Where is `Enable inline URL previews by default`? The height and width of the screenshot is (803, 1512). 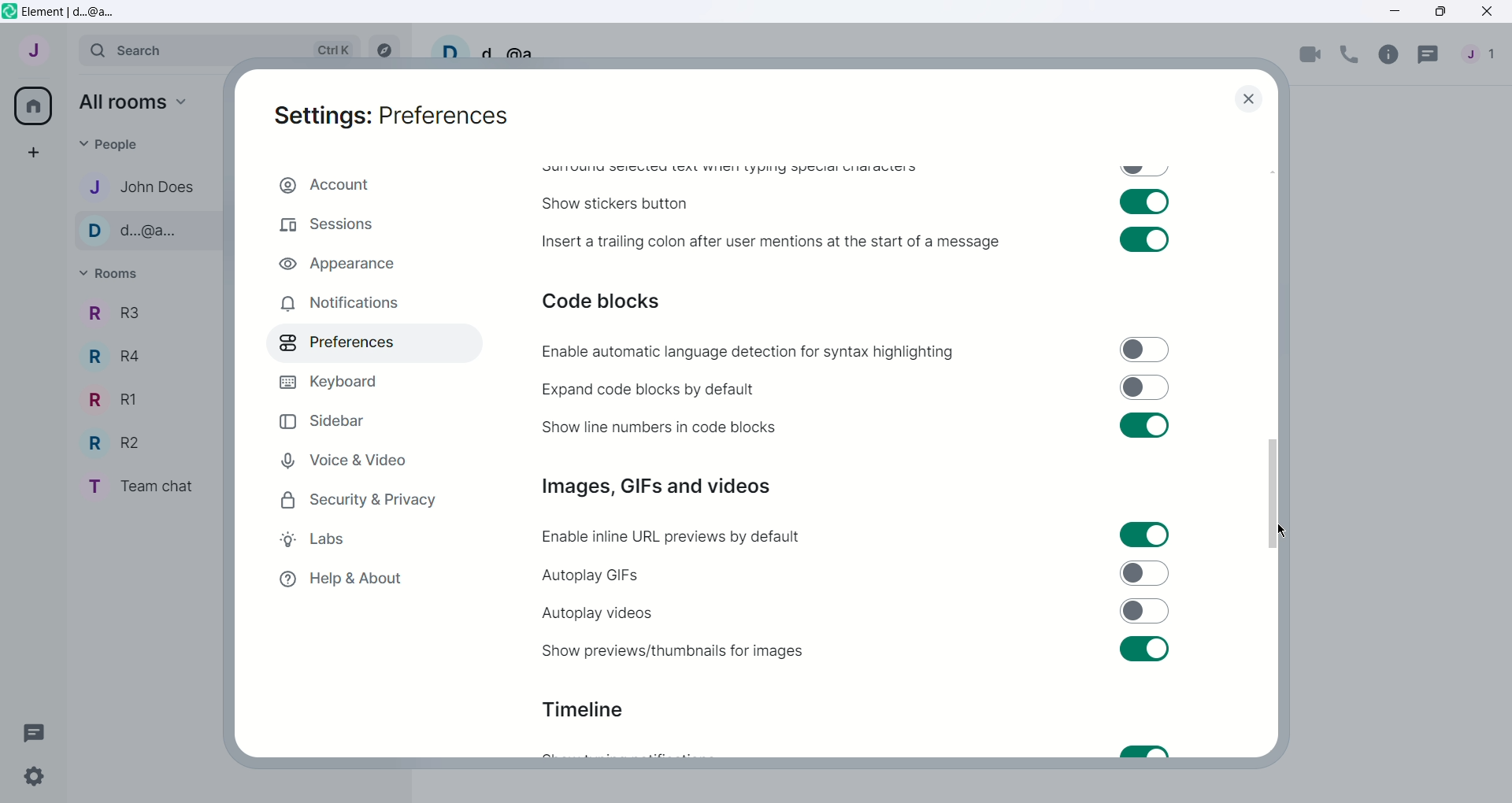 Enable inline URL previews by default is located at coordinates (673, 537).